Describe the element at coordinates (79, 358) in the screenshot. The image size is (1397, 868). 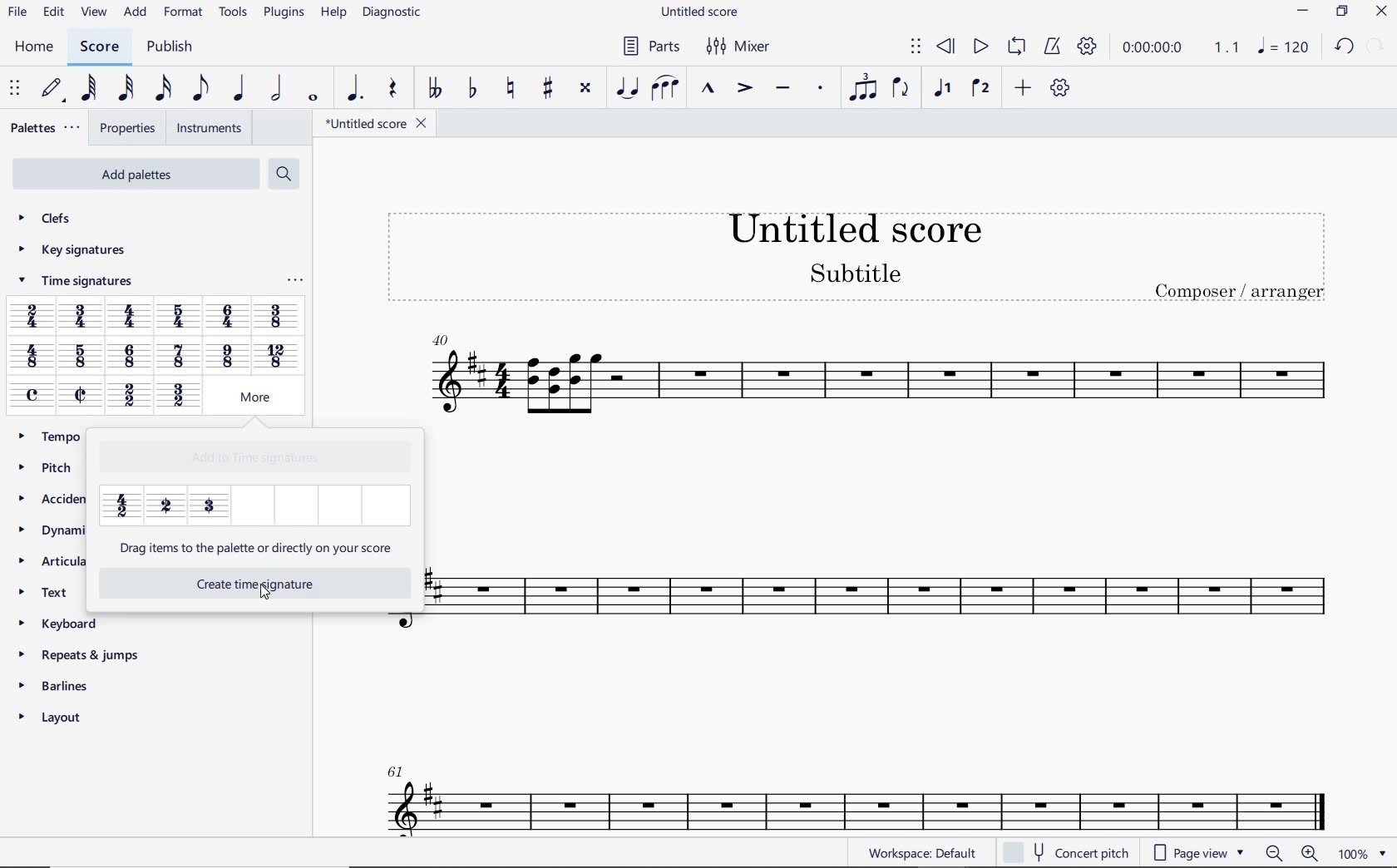
I see `5/8` at that location.